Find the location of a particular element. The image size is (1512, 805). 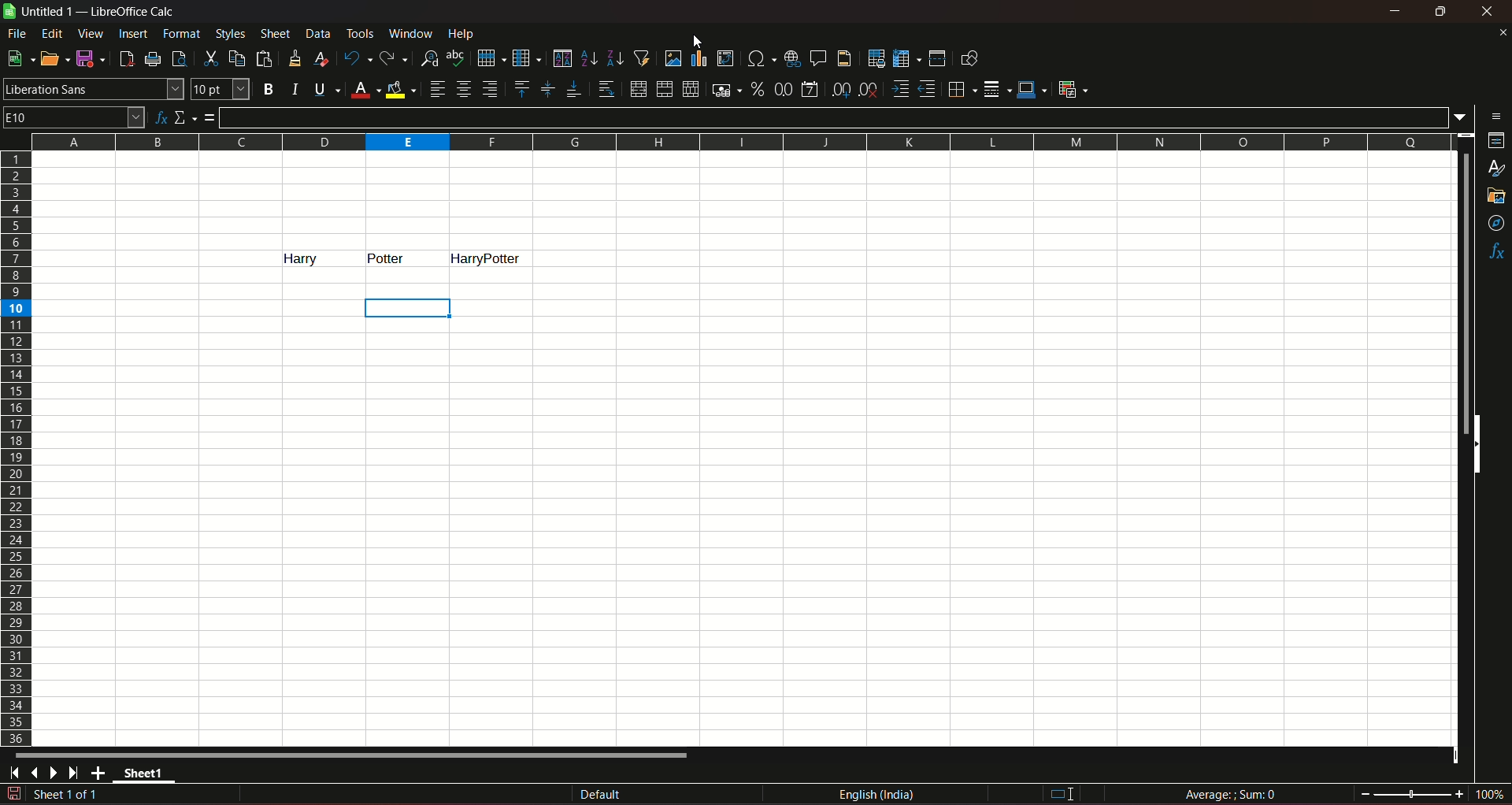

new is located at coordinates (18, 58).